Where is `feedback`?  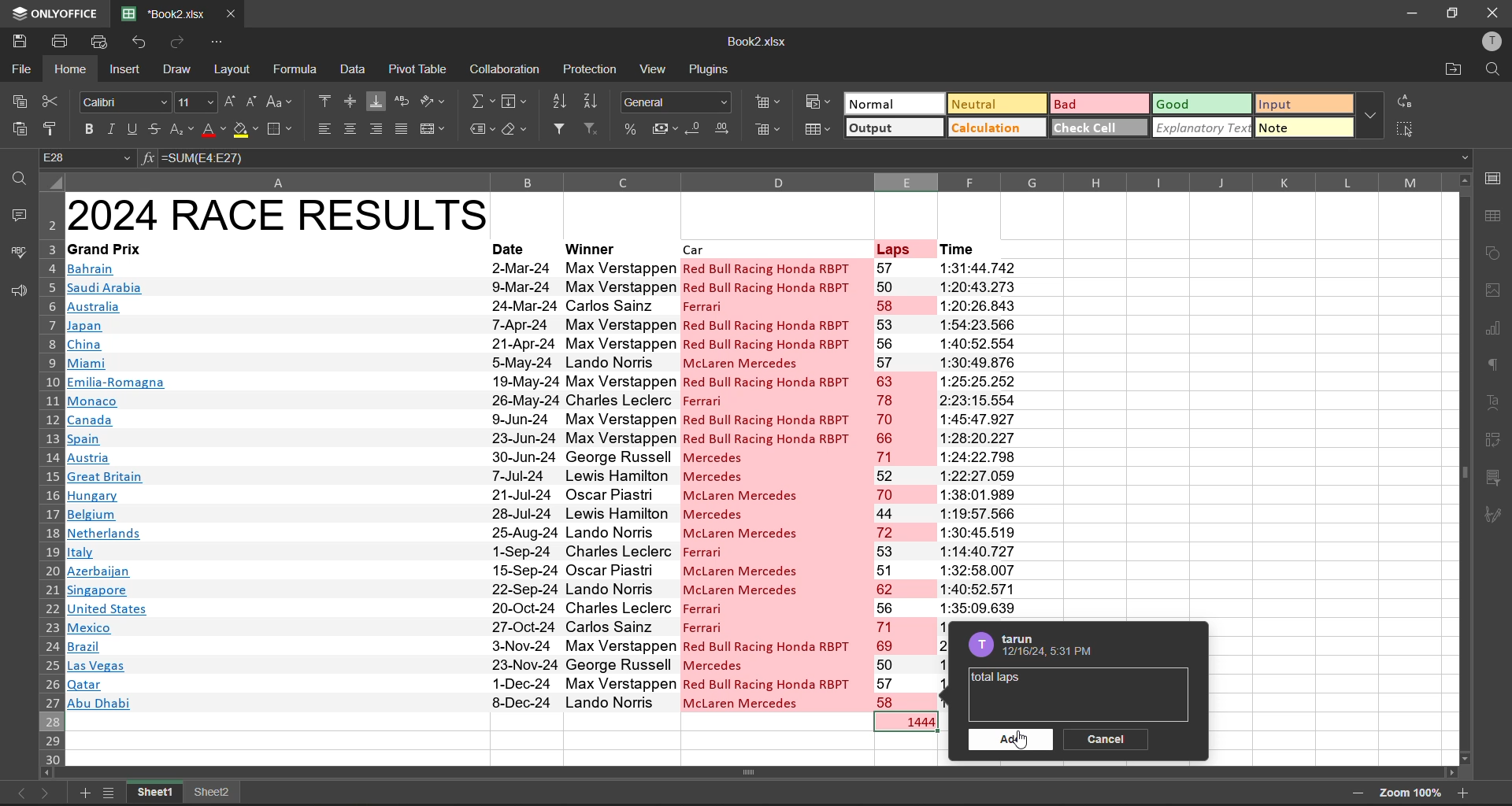
feedback is located at coordinates (16, 290).